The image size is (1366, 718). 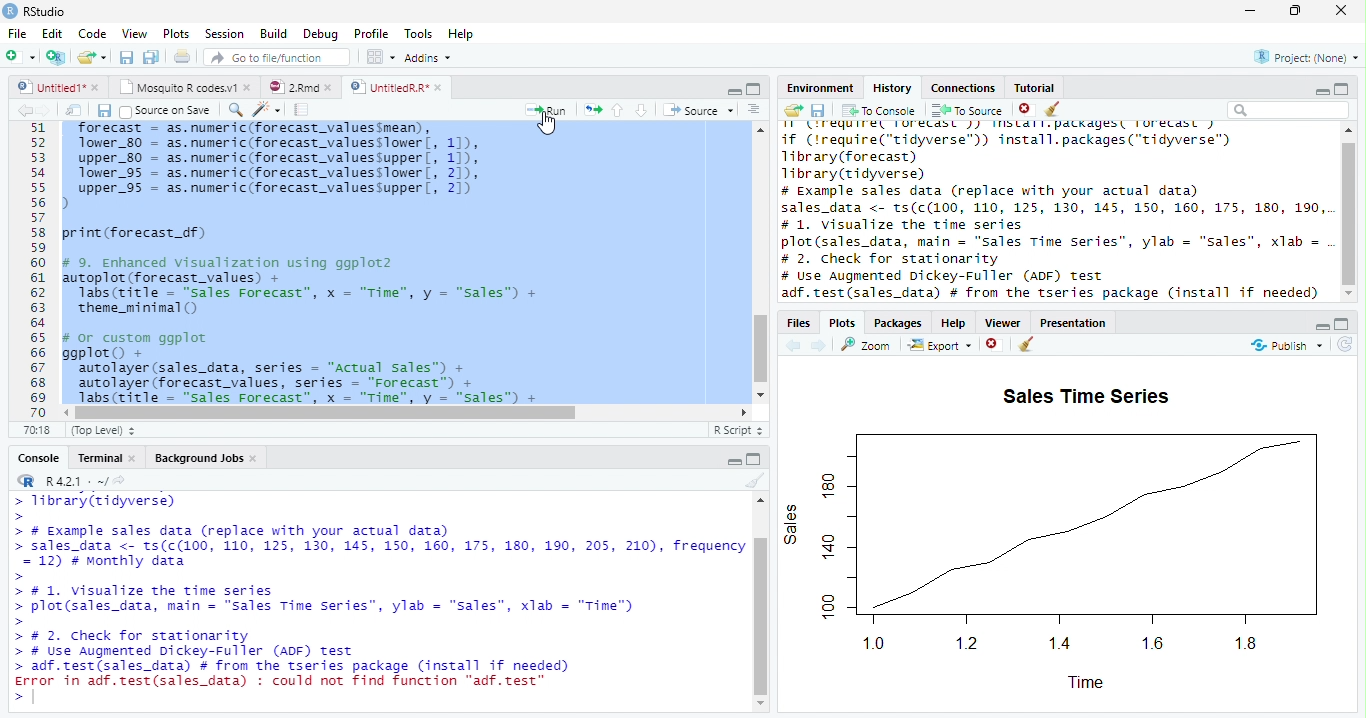 What do you see at coordinates (756, 460) in the screenshot?
I see `Maximize` at bounding box center [756, 460].